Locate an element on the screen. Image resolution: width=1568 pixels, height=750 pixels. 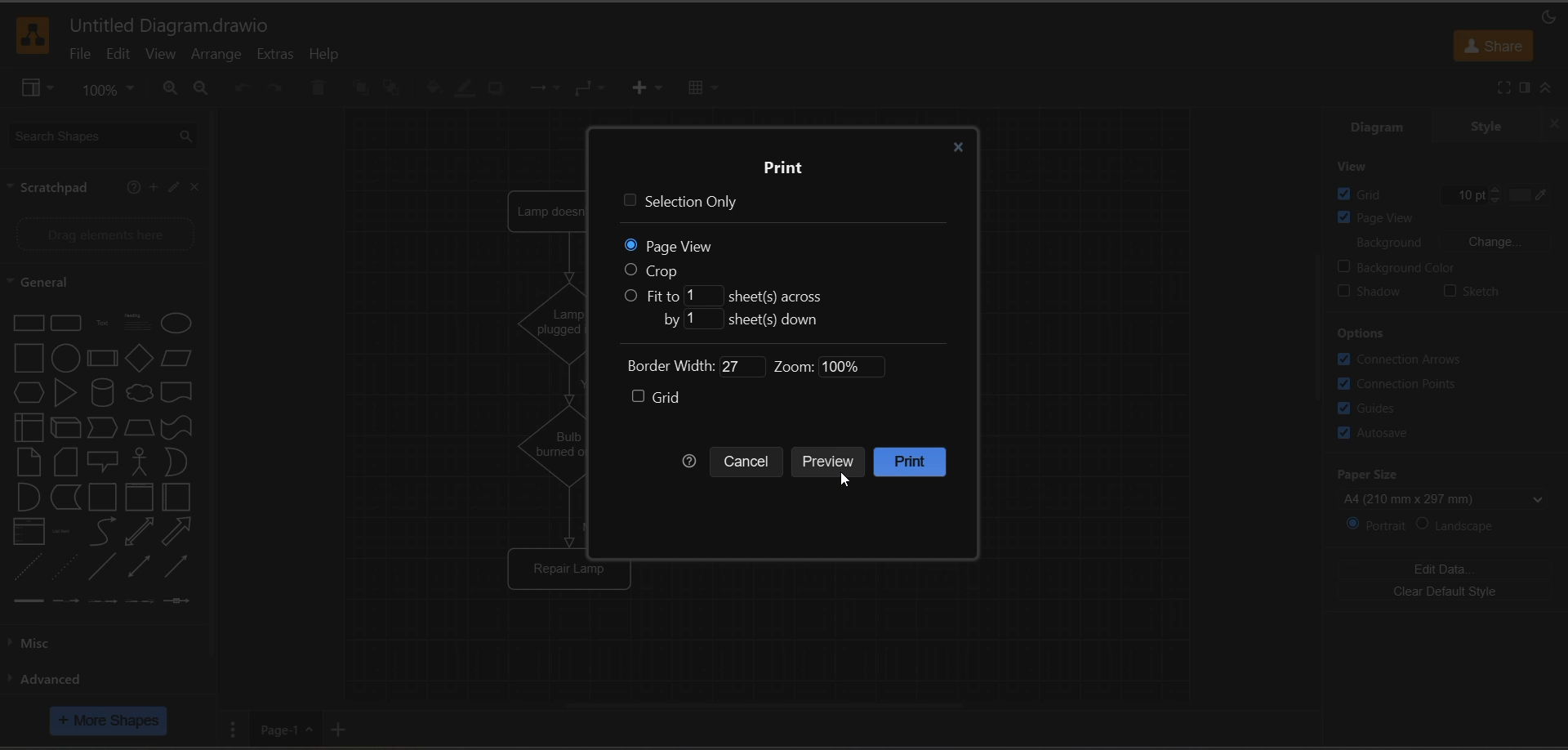
search shapes is located at coordinates (102, 135).